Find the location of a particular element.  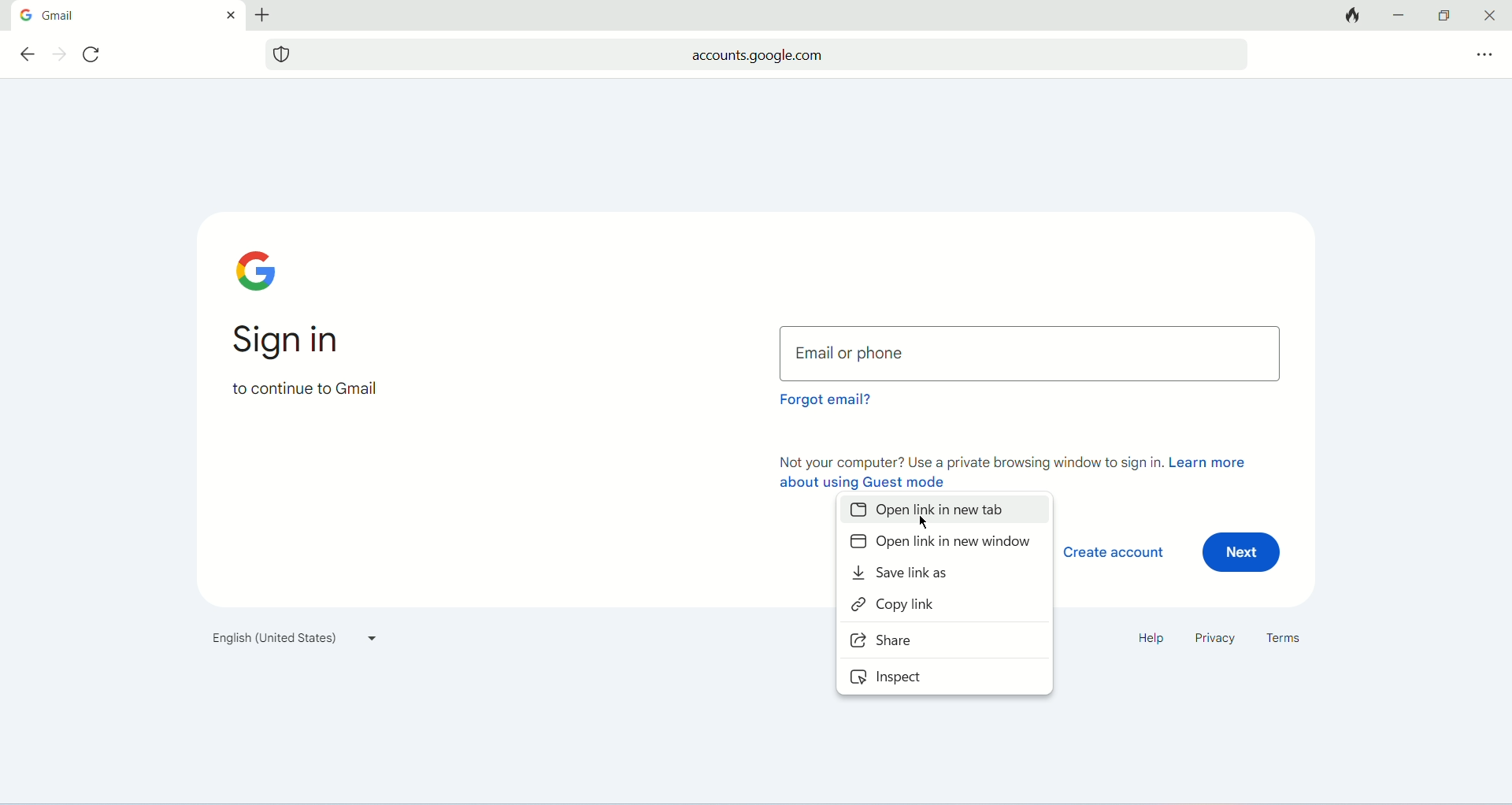

google logo is located at coordinates (262, 271).